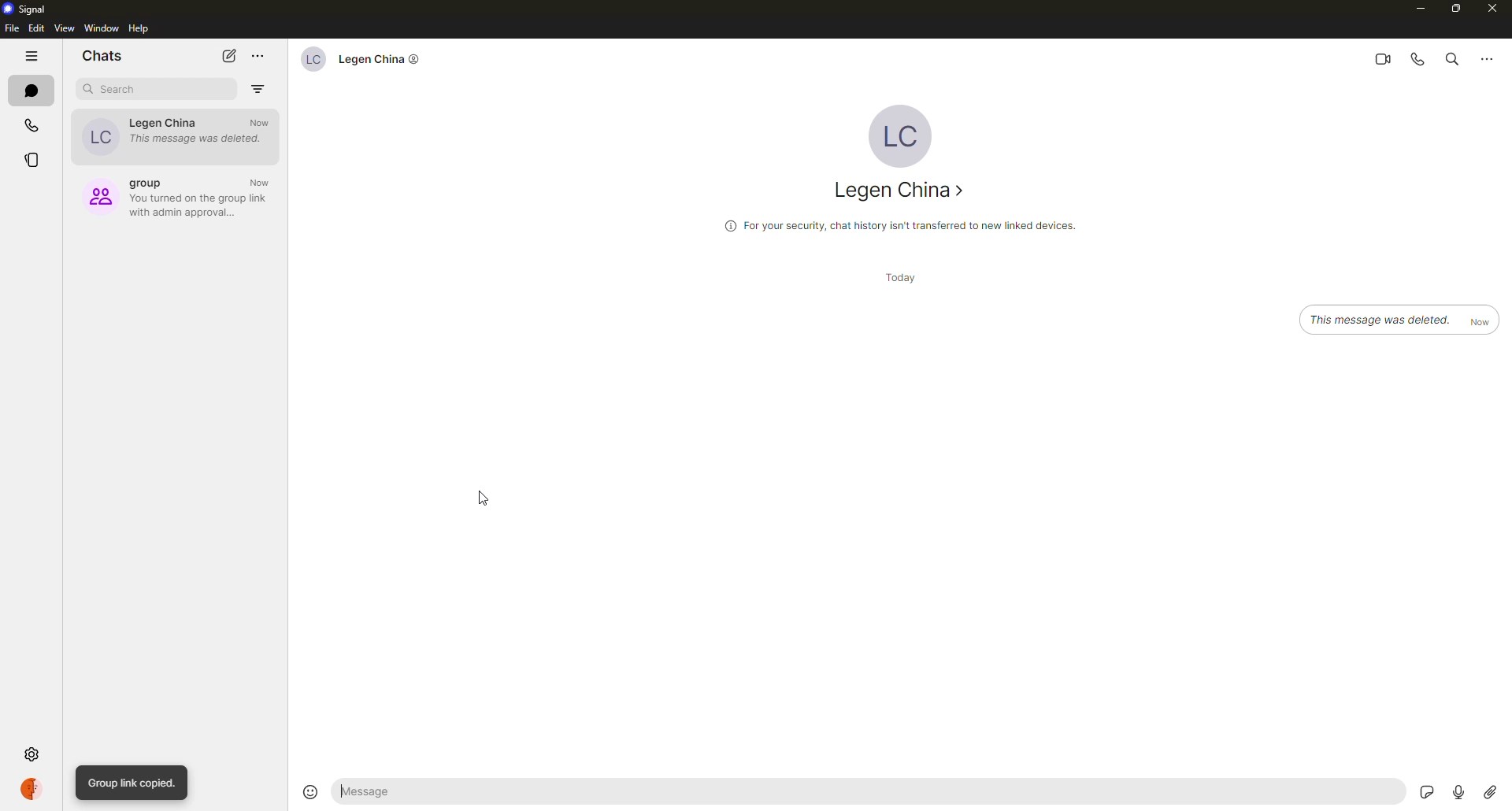  Describe the element at coordinates (1427, 791) in the screenshot. I see `stickers` at that location.